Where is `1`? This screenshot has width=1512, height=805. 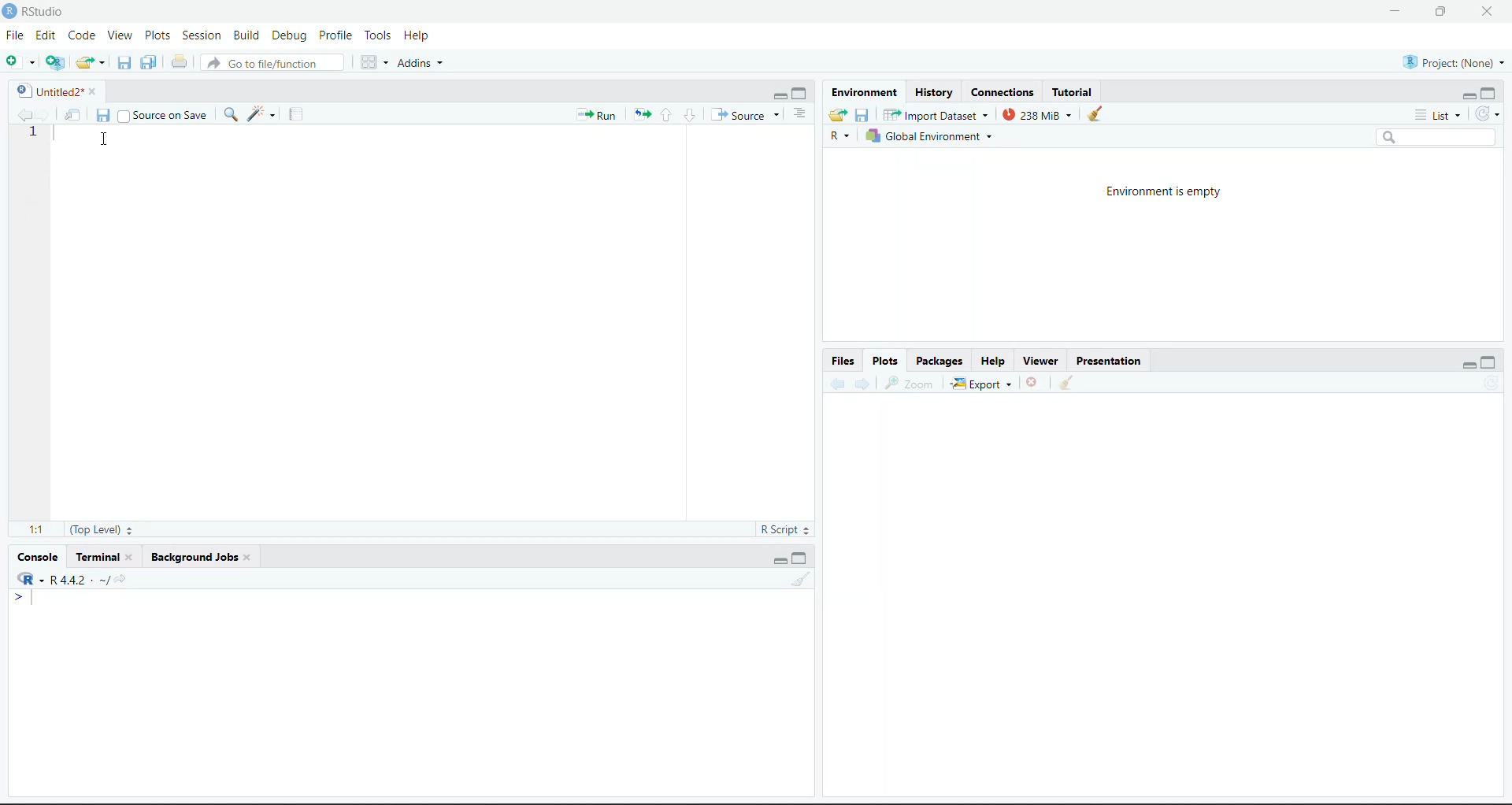
1 is located at coordinates (31, 132).